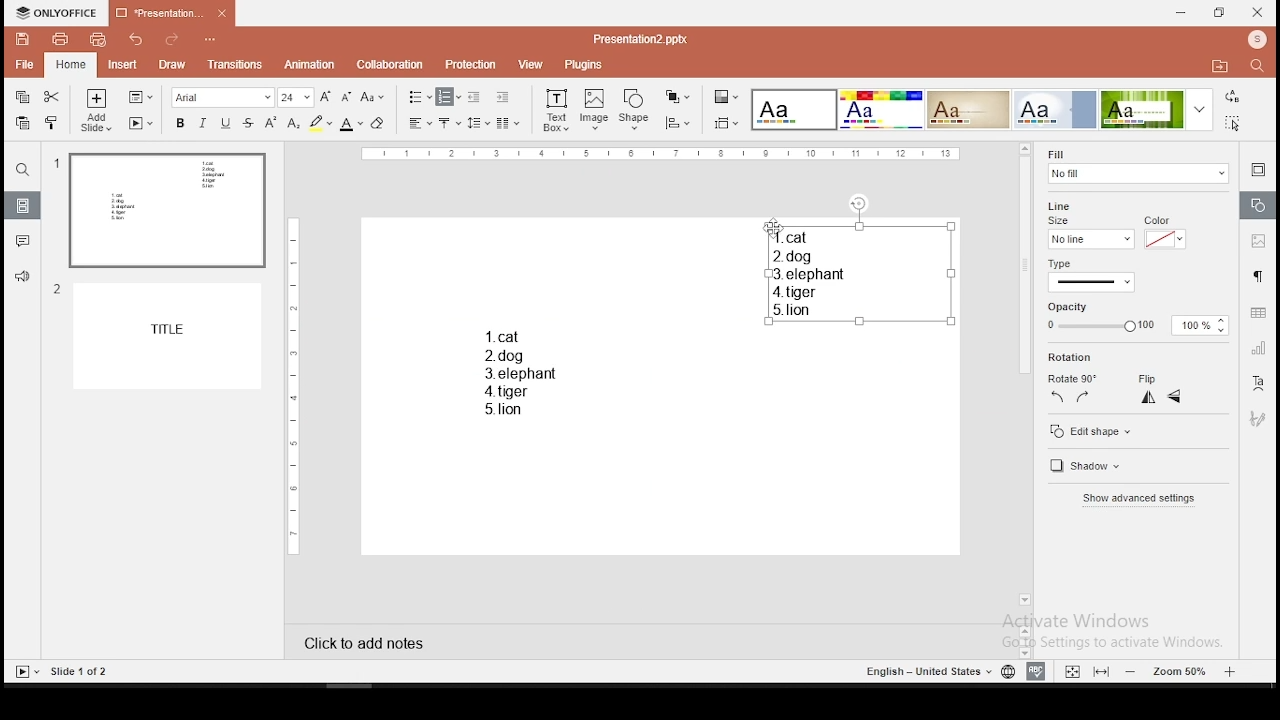 The image size is (1280, 720). I want to click on print file, so click(57, 39).